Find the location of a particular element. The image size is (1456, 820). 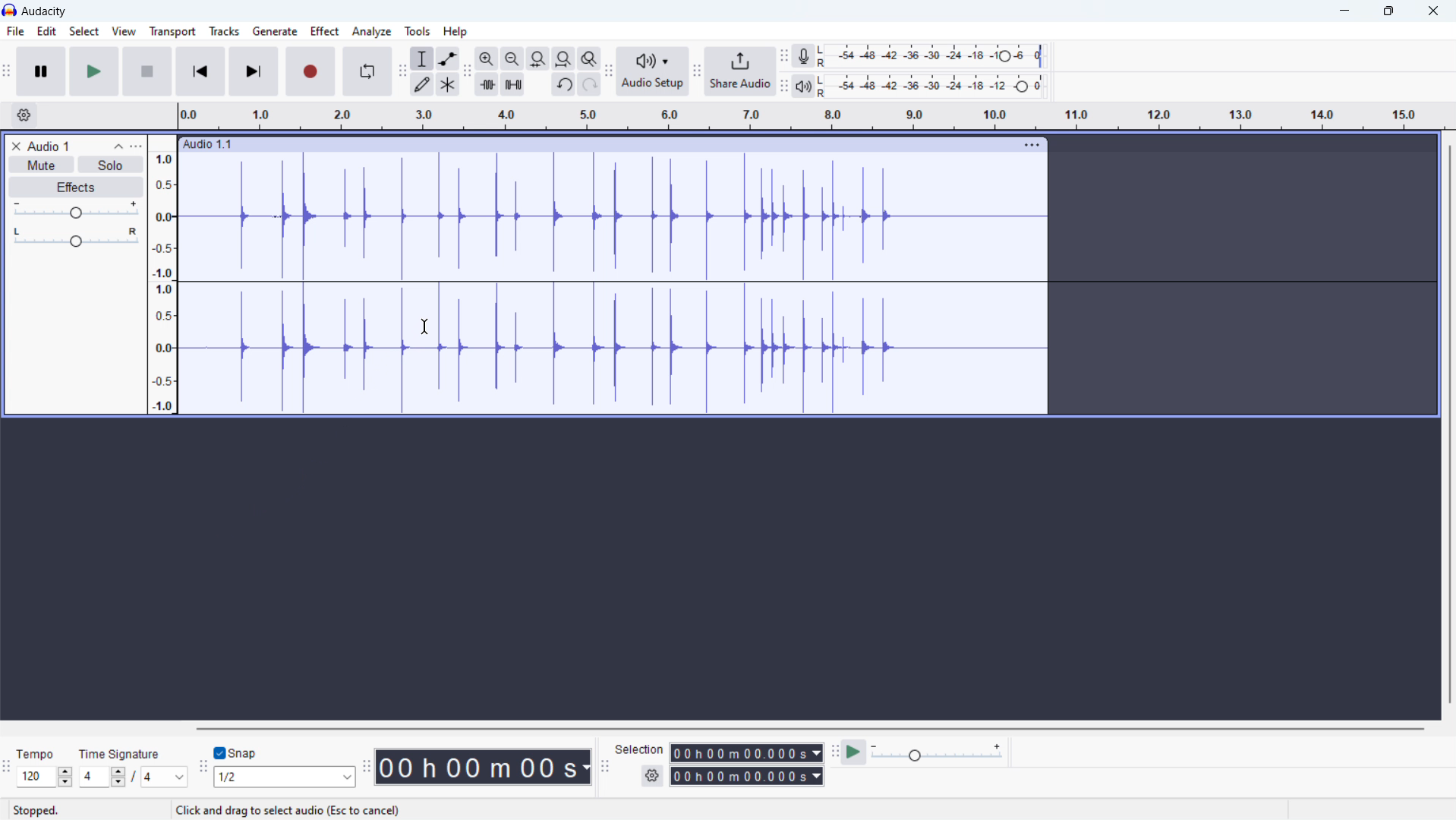

delete audio is located at coordinates (16, 147).